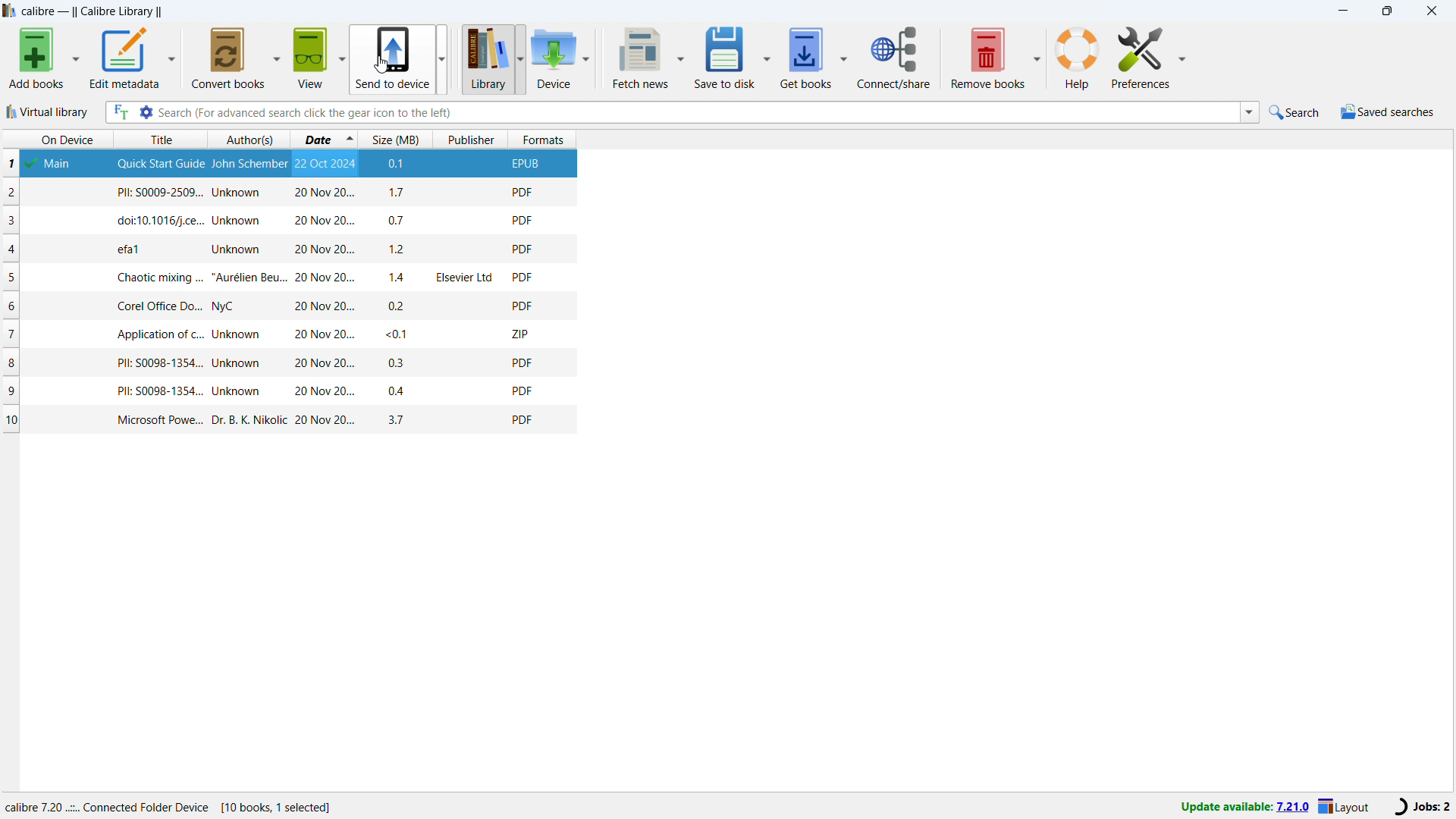 The image size is (1456, 819). I want to click on sort by title, so click(159, 139).